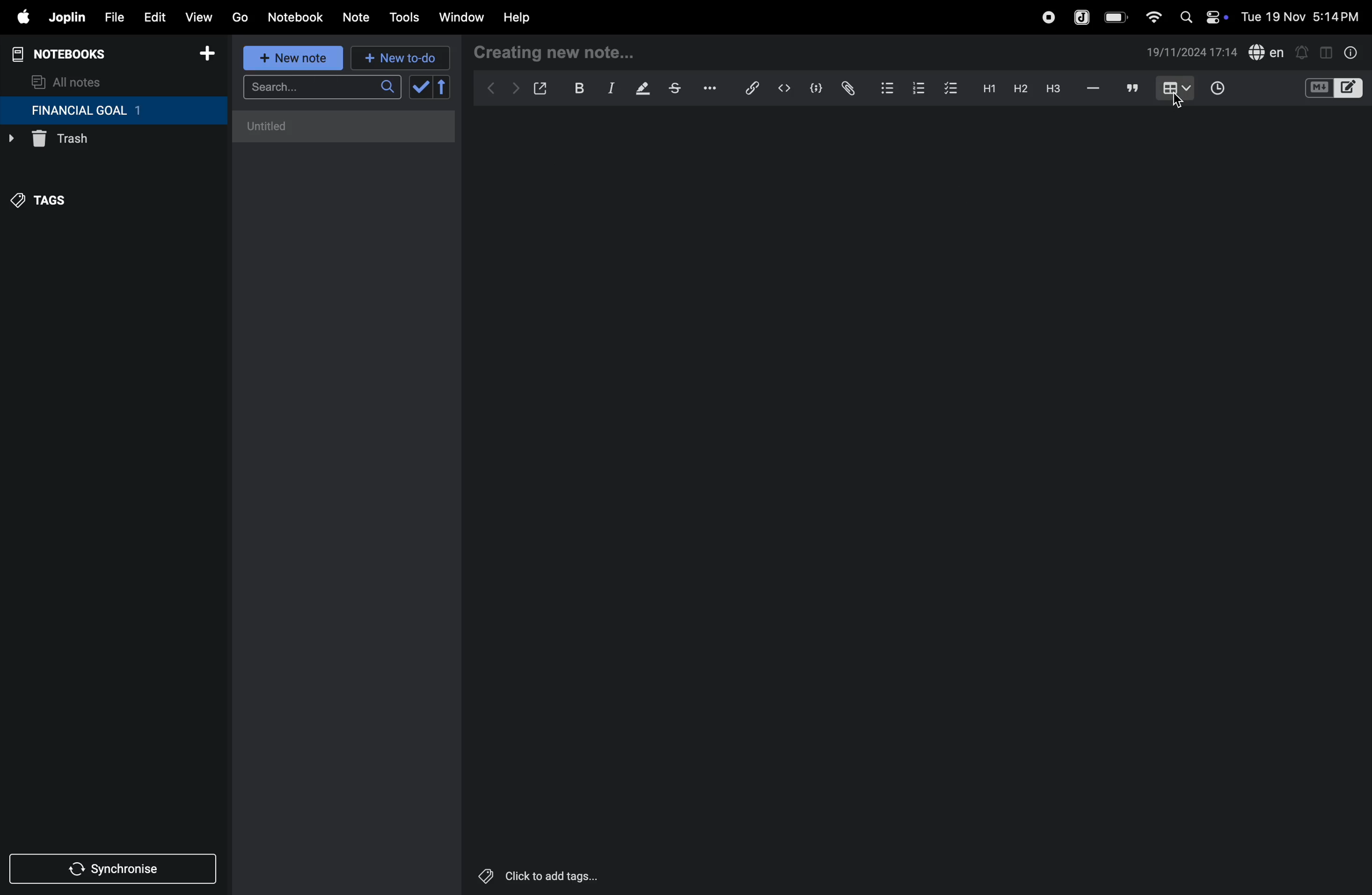 The height and width of the screenshot is (895, 1372). I want to click on edit, so click(149, 14).